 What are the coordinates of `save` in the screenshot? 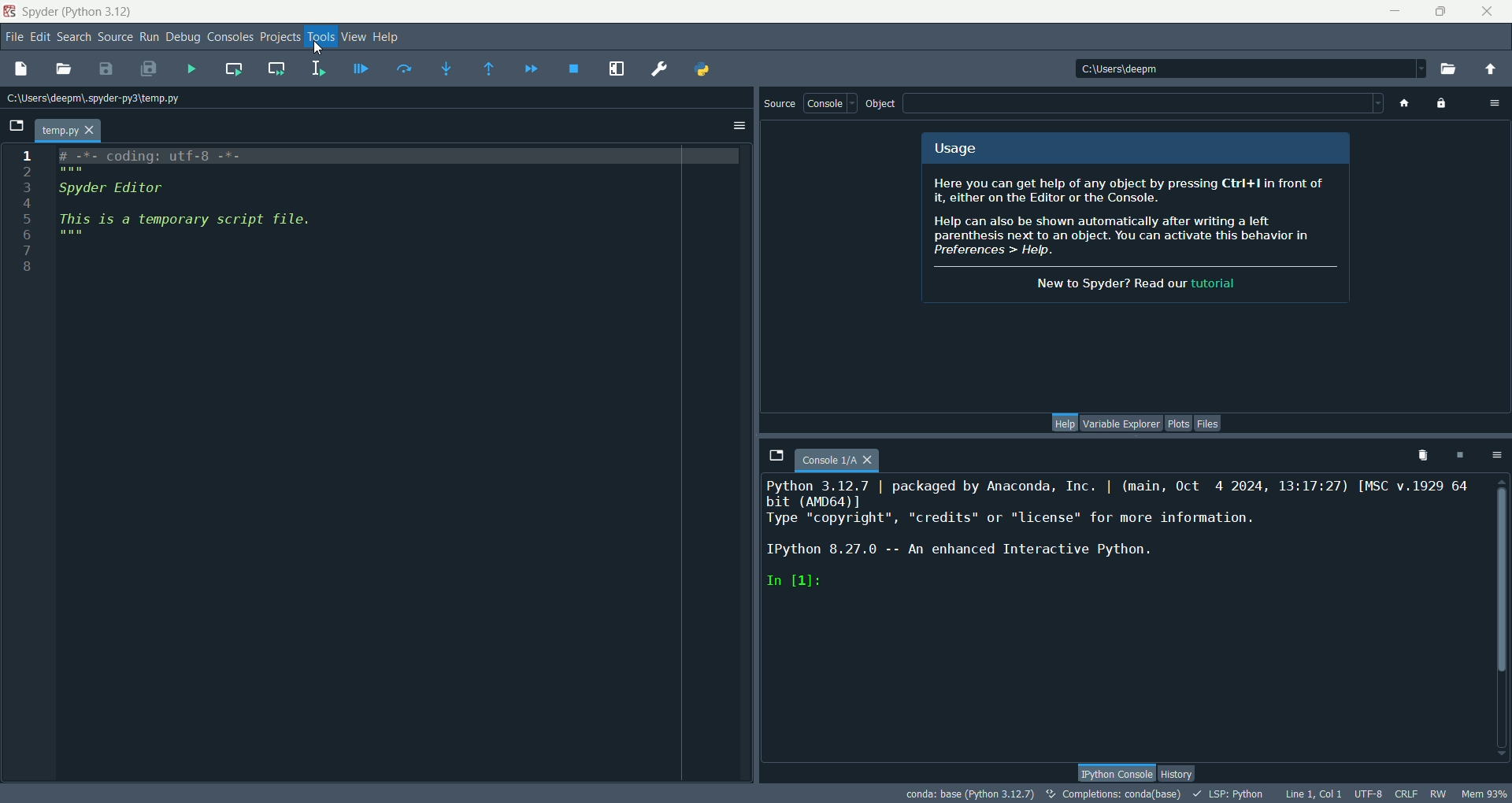 It's located at (108, 69).